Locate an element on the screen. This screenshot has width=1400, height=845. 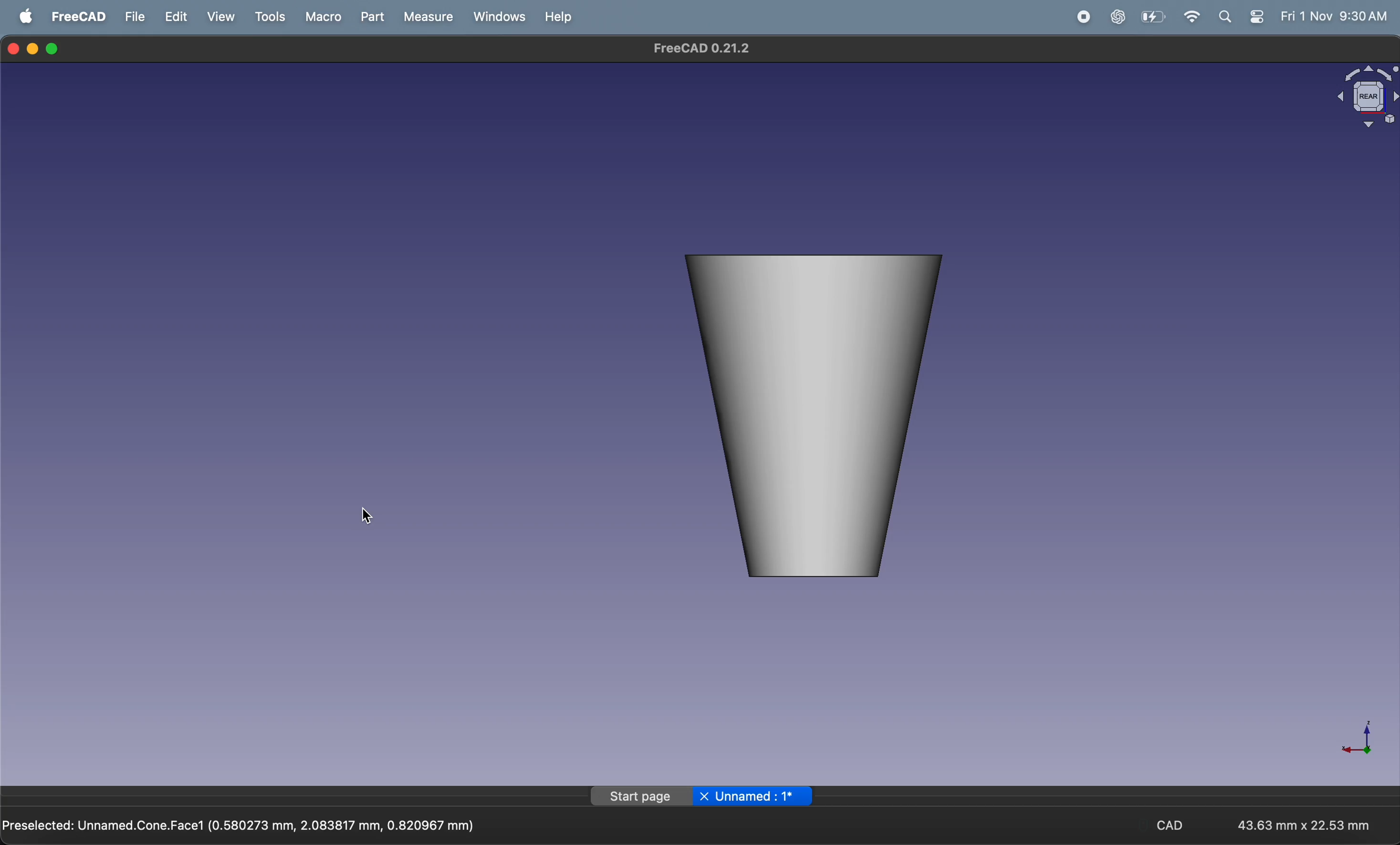
help is located at coordinates (557, 17).